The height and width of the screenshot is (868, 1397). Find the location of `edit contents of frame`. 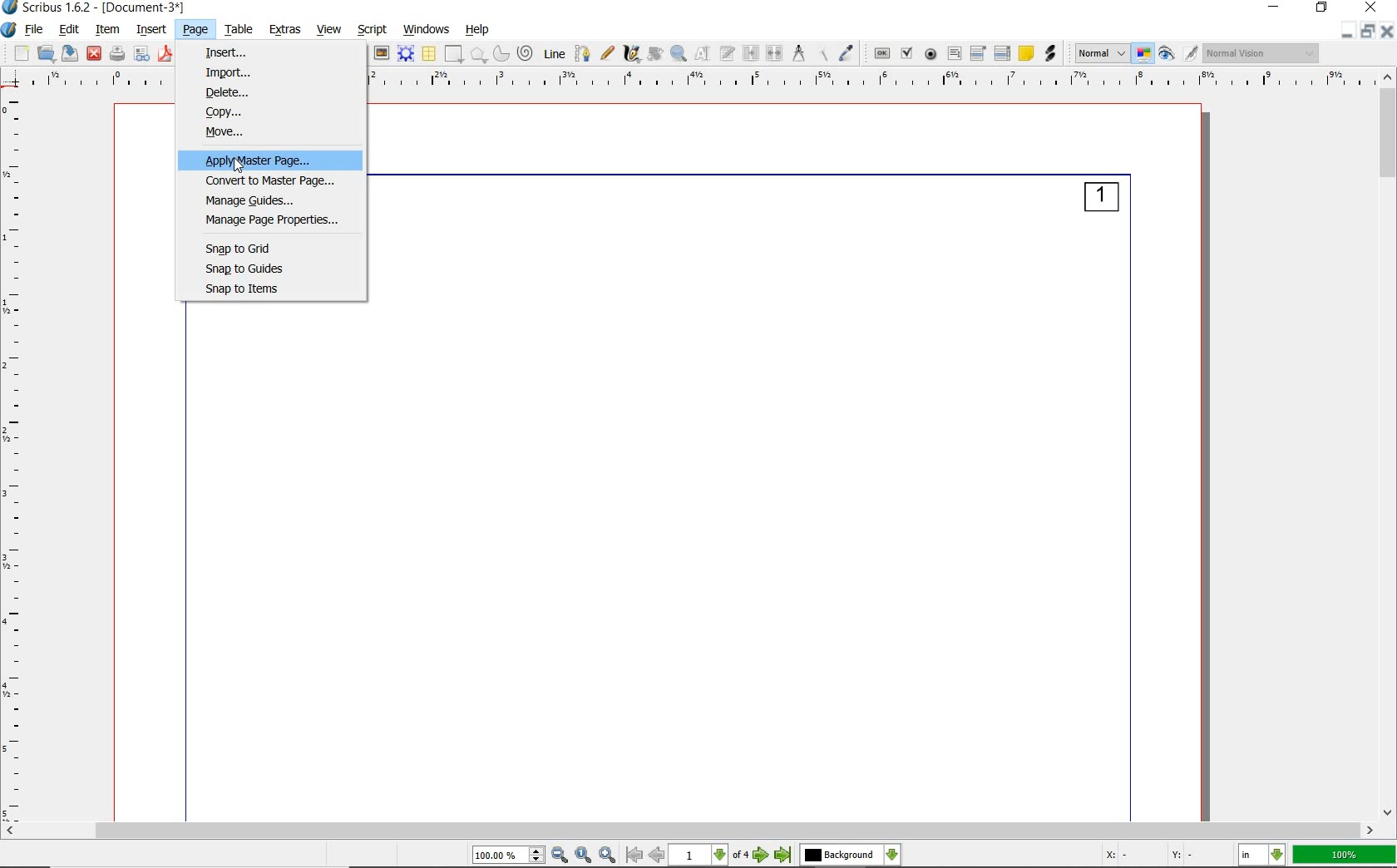

edit contents of frame is located at coordinates (702, 54).